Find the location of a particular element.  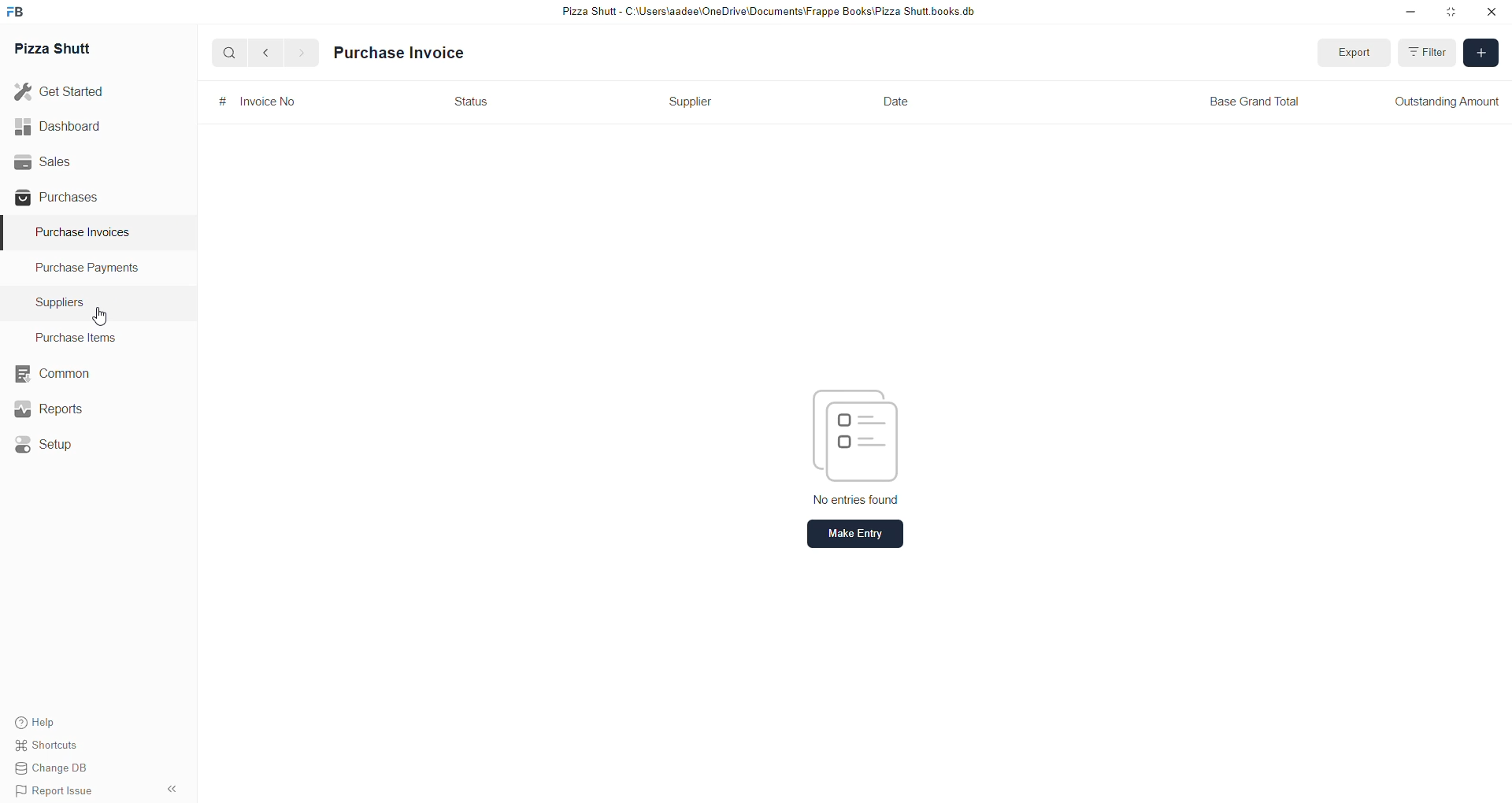

 Help is located at coordinates (57, 723).